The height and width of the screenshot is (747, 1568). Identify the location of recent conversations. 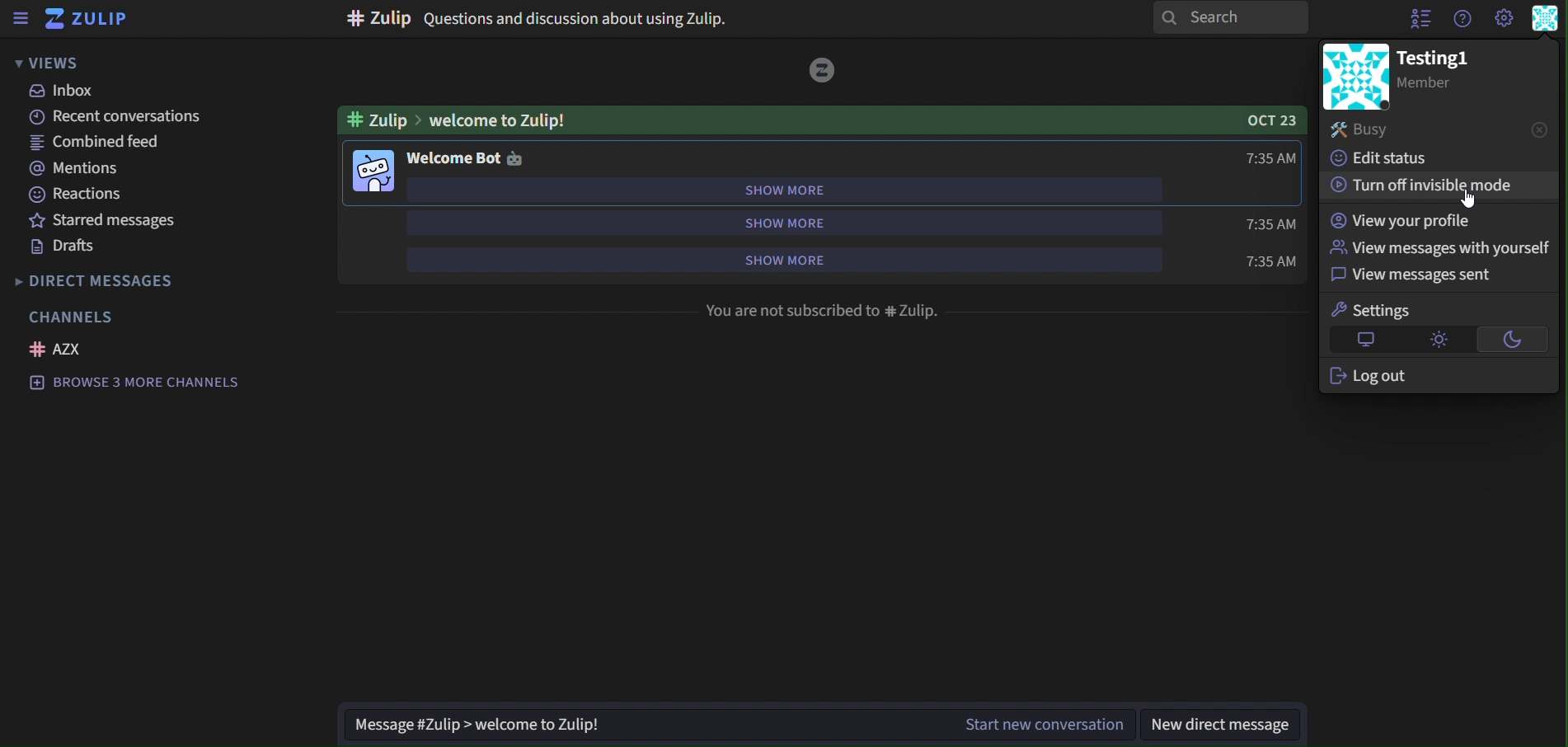
(110, 117).